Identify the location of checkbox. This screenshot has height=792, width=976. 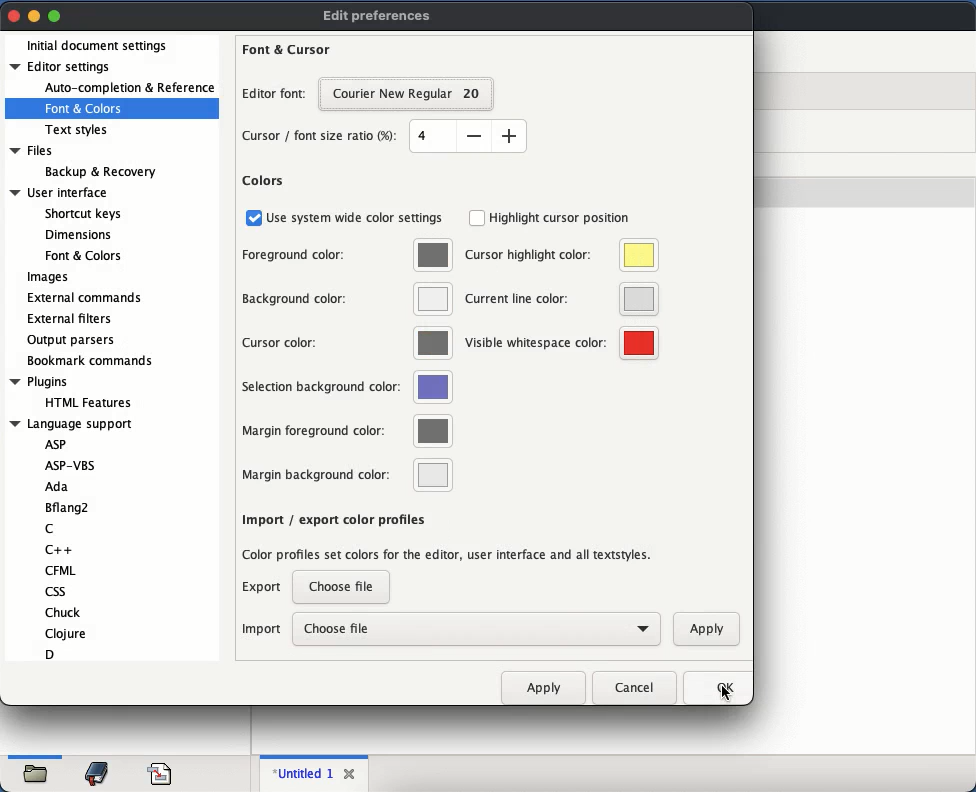
(251, 217).